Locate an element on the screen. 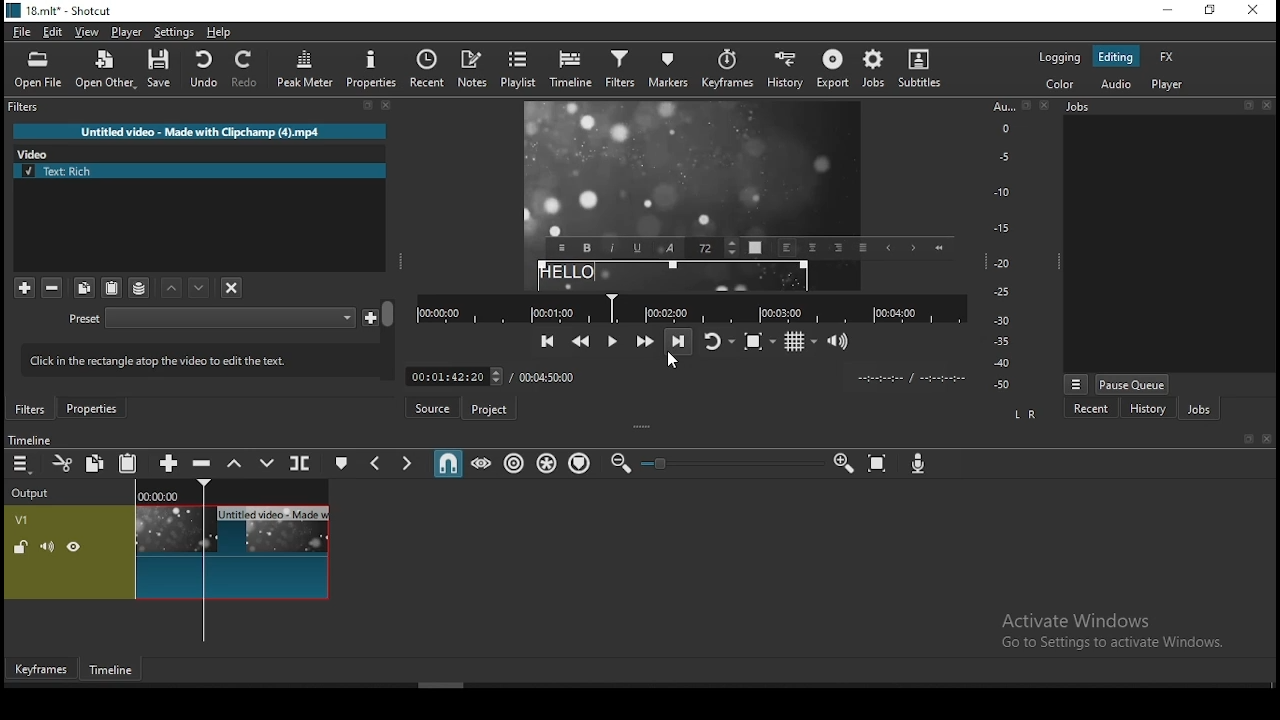 The height and width of the screenshot is (720, 1280). deselect filters is located at coordinates (230, 286).